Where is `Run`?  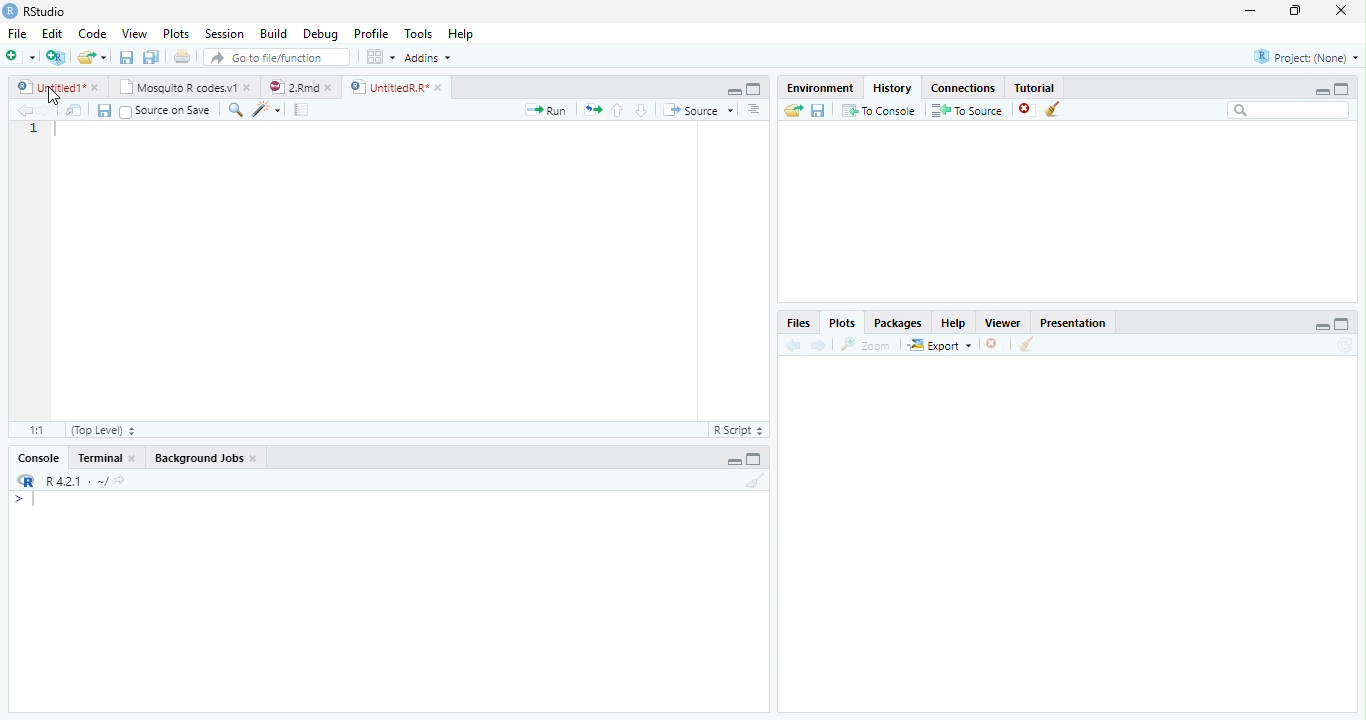 Run is located at coordinates (544, 111).